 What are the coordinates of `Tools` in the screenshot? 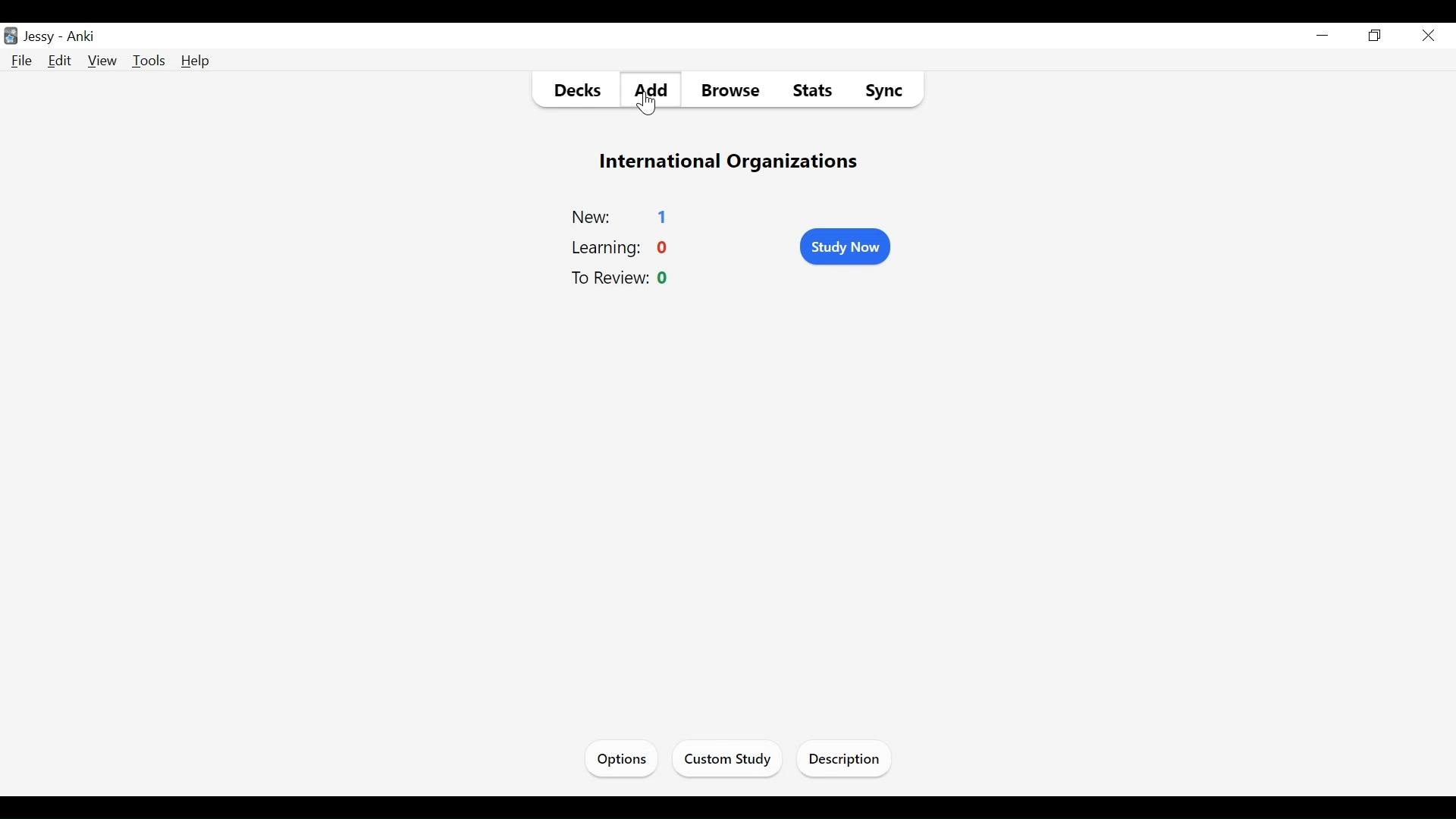 It's located at (149, 61).